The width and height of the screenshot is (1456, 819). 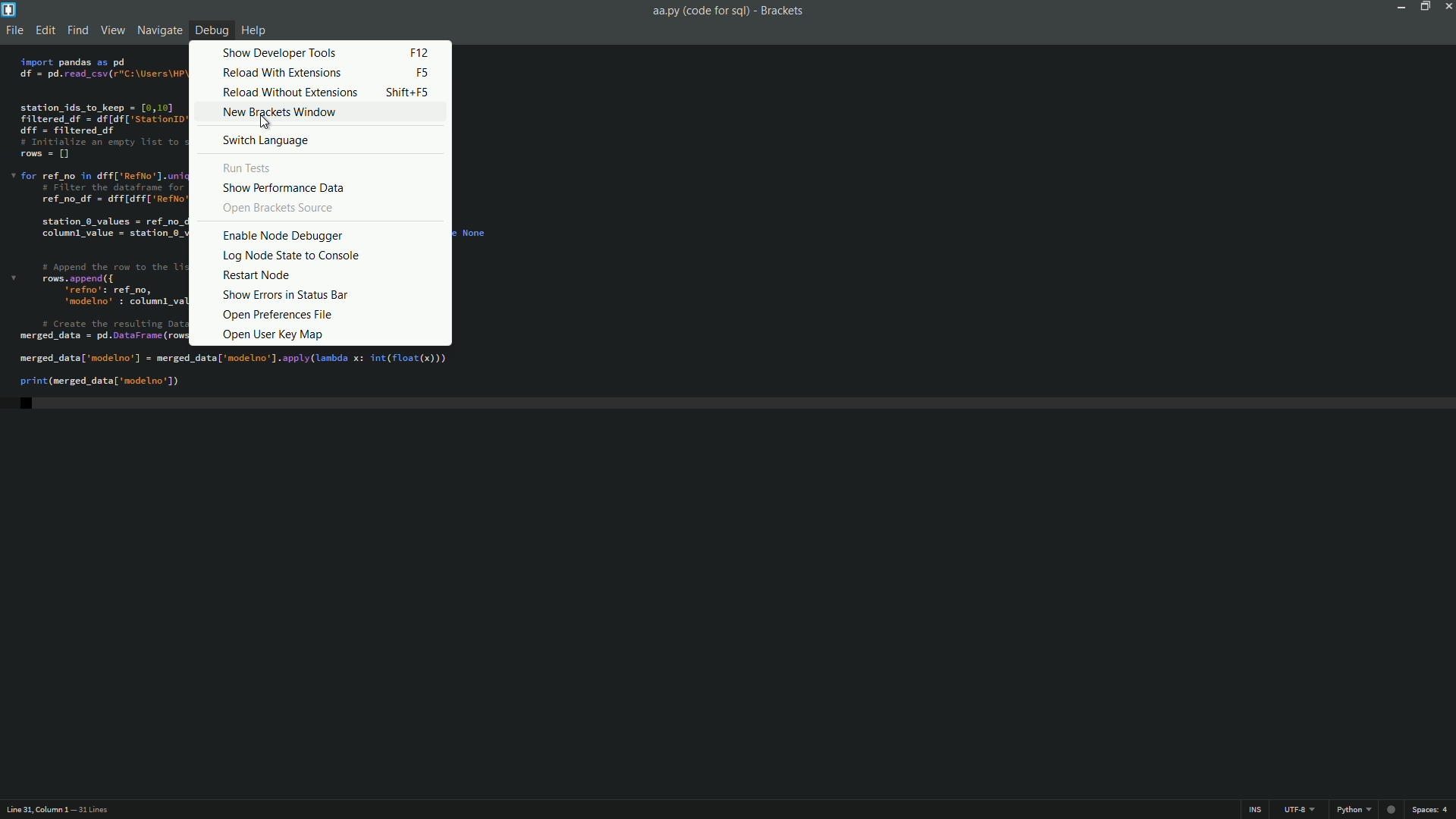 What do you see at coordinates (1401, 7) in the screenshot?
I see `minimize` at bounding box center [1401, 7].